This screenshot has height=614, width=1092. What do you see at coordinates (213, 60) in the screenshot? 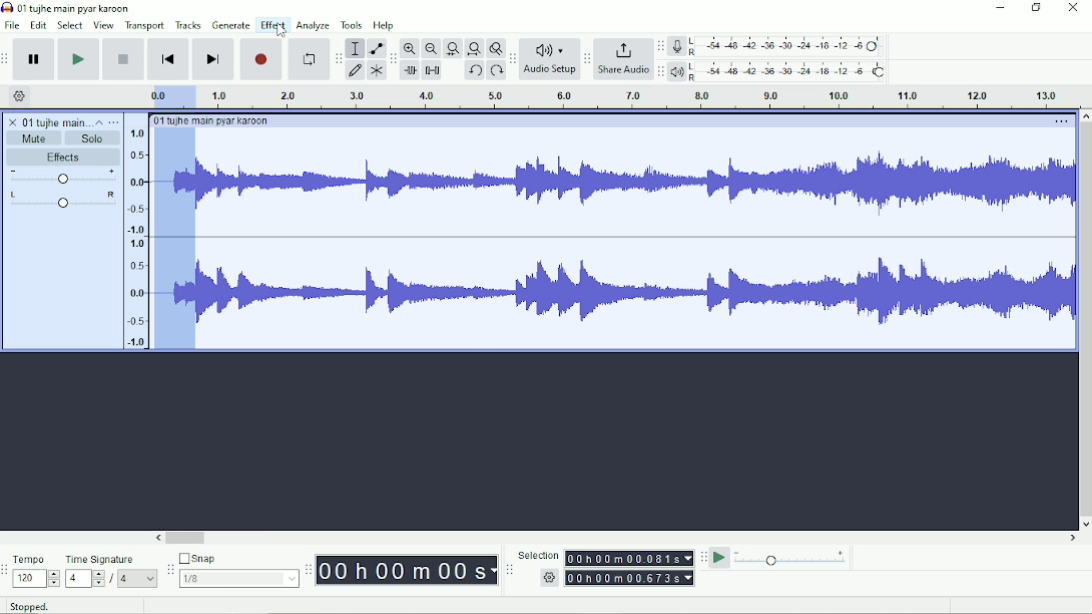
I see `Skip to end` at bounding box center [213, 60].